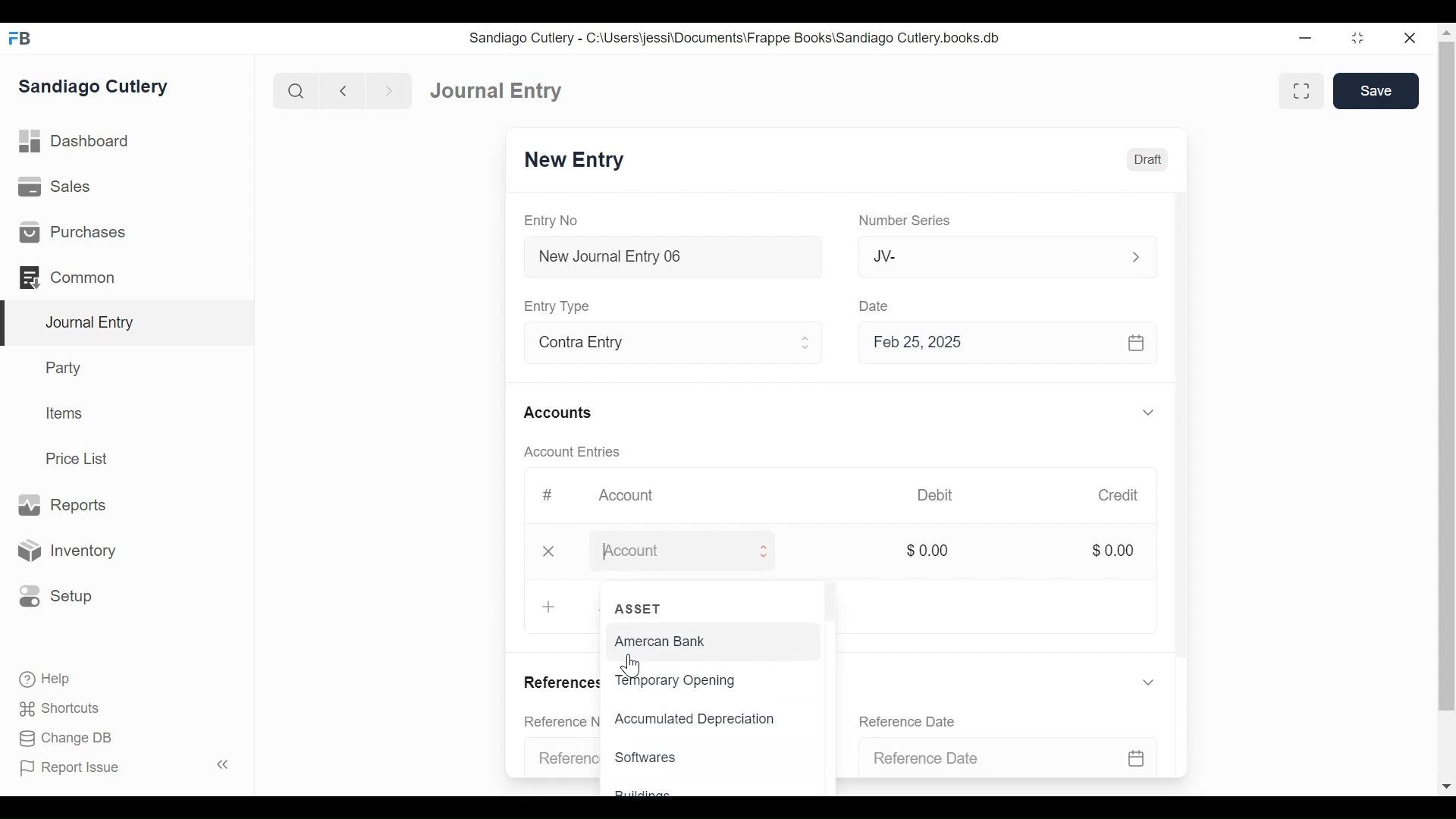  I want to click on Search, so click(297, 91).